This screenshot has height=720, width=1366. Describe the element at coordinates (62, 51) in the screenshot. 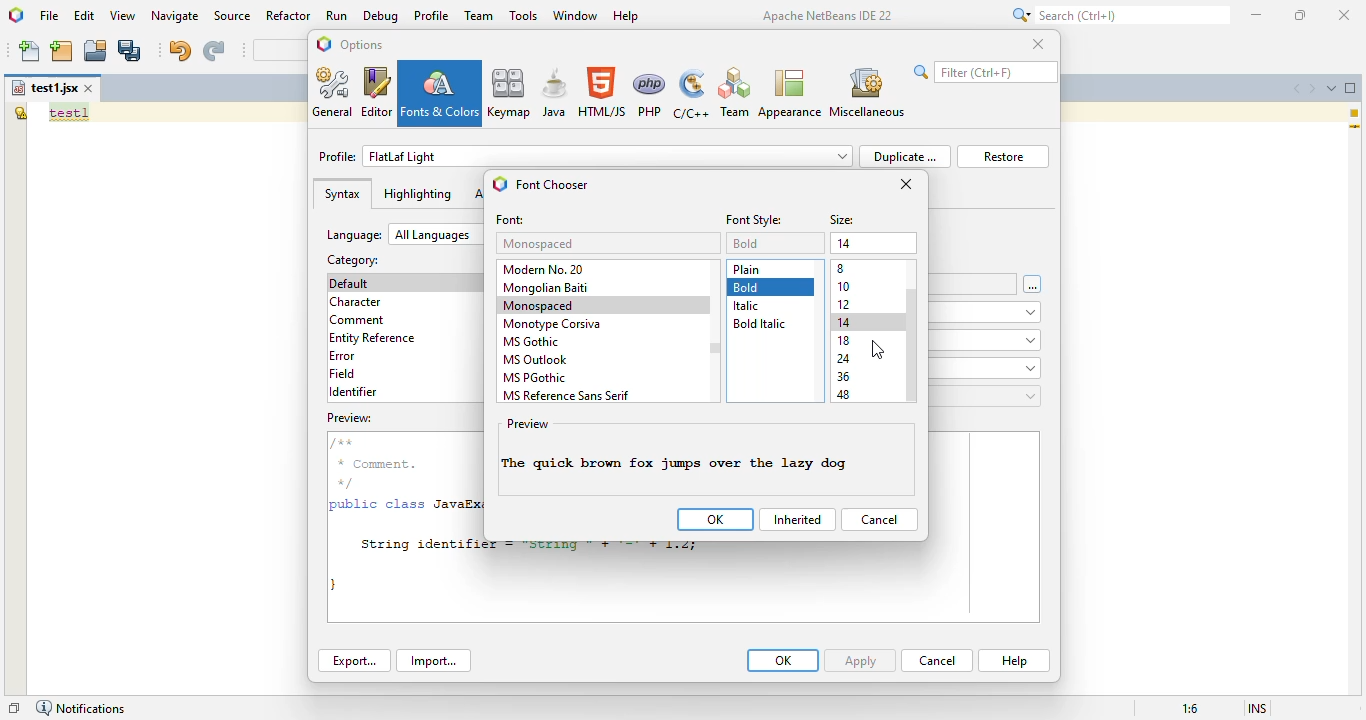

I see `new project` at that location.